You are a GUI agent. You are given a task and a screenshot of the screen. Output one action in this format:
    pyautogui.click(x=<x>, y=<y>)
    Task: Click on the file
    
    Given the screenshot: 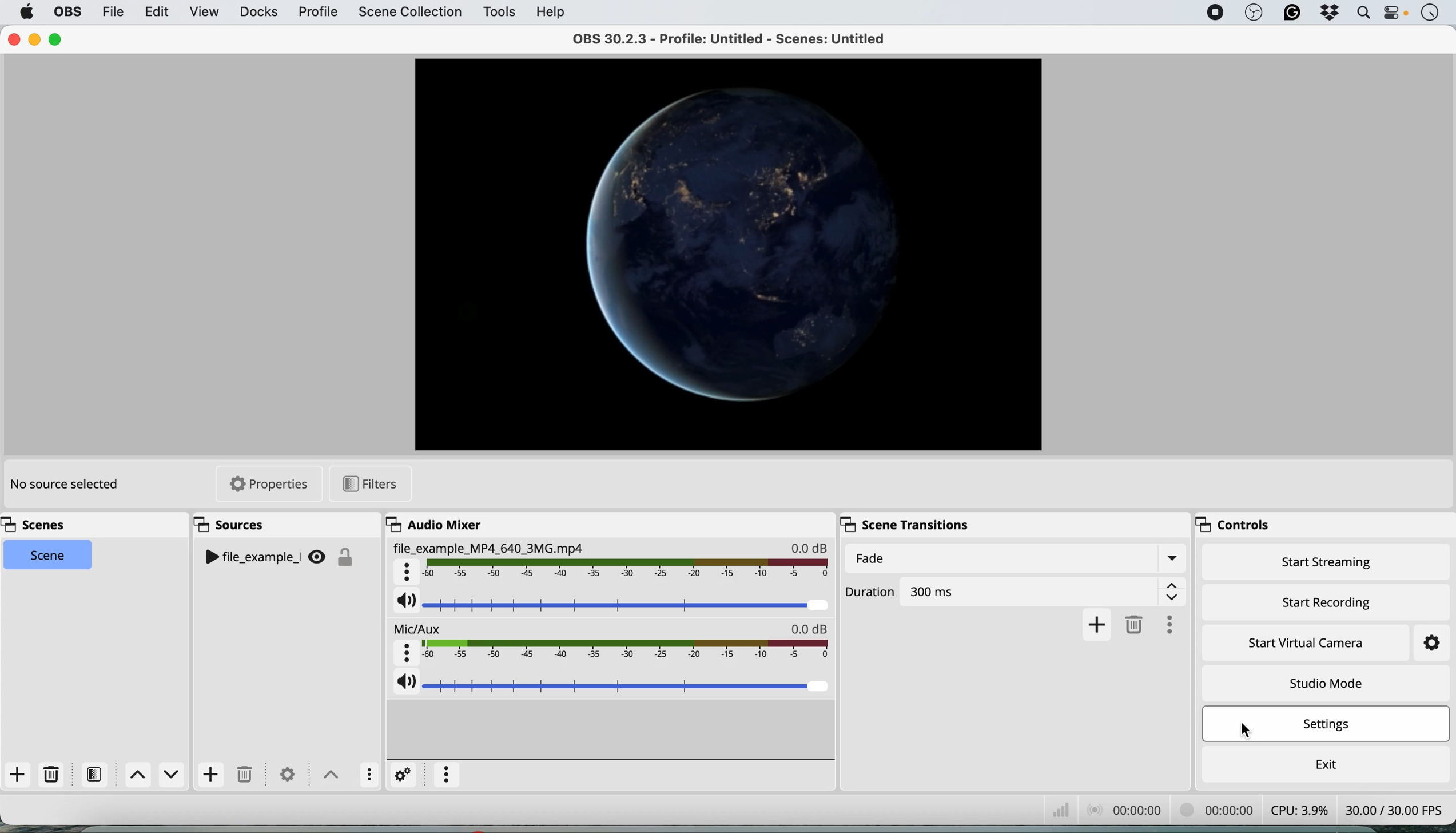 What is the action you would take?
    pyautogui.click(x=112, y=11)
    